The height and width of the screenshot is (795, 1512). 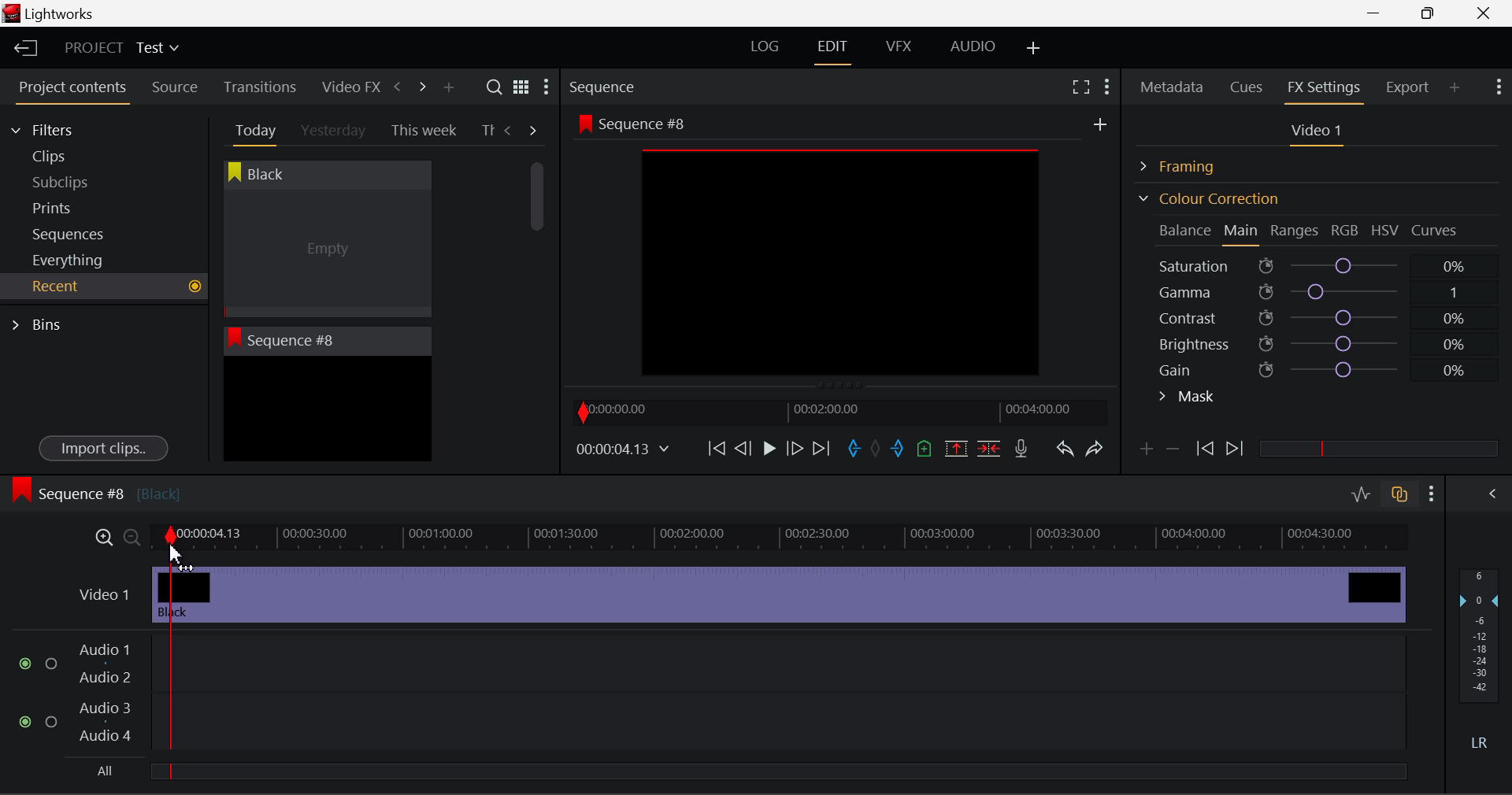 What do you see at coordinates (49, 15) in the screenshot?
I see `Window Title` at bounding box center [49, 15].